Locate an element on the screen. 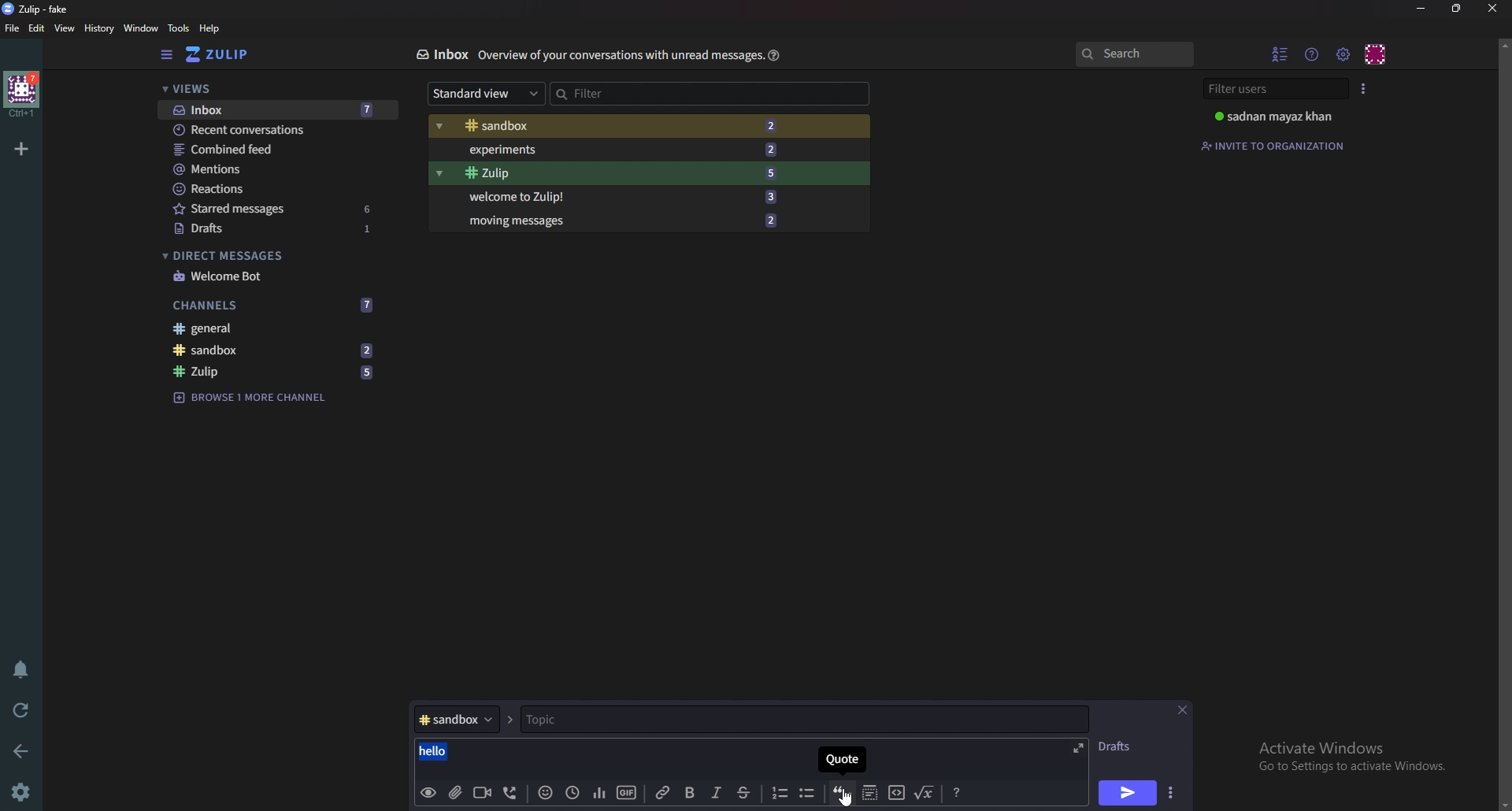 The height and width of the screenshot is (811, 1512). Emoji is located at coordinates (547, 792).